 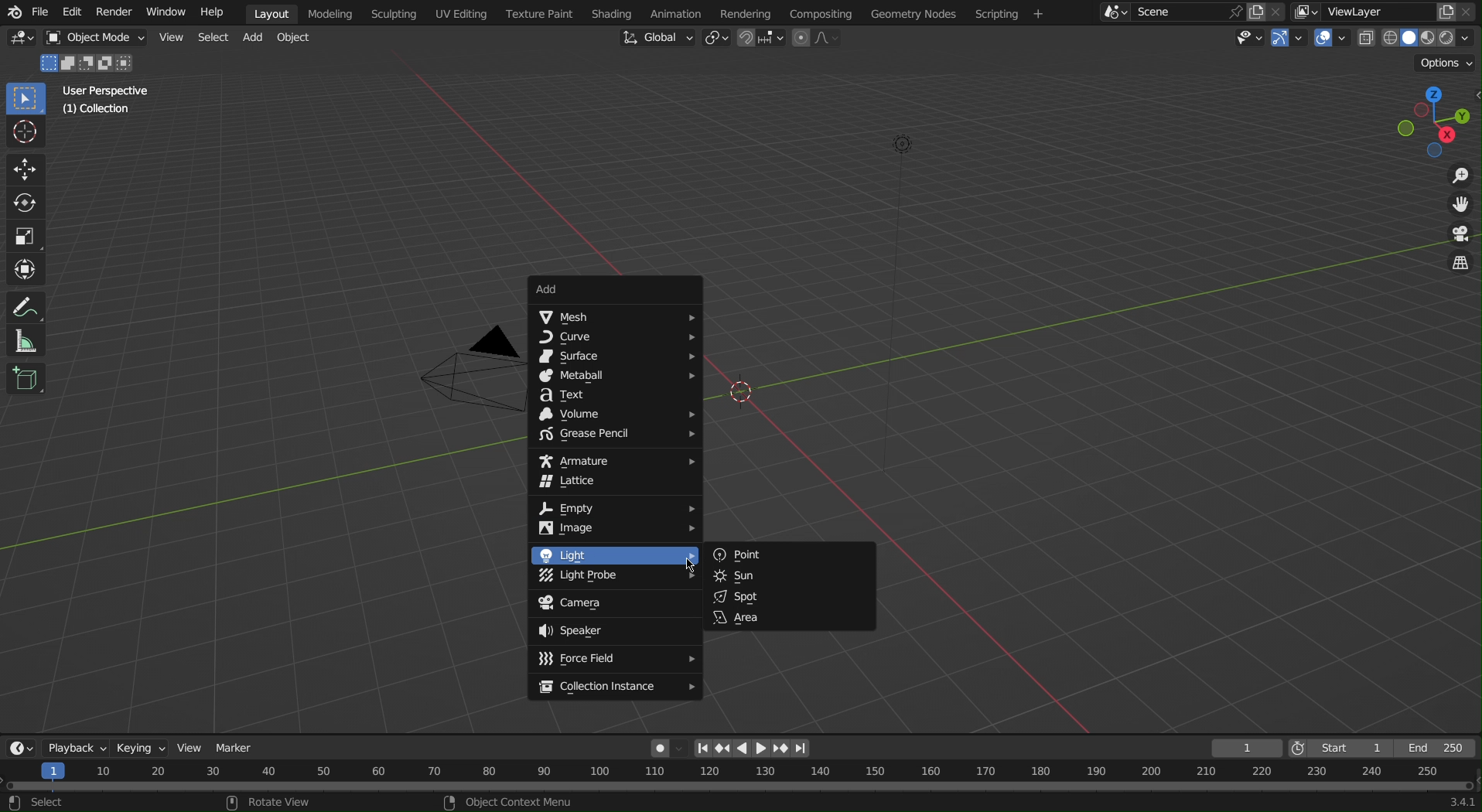 I want to click on Rotate, so click(x=28, y=204).